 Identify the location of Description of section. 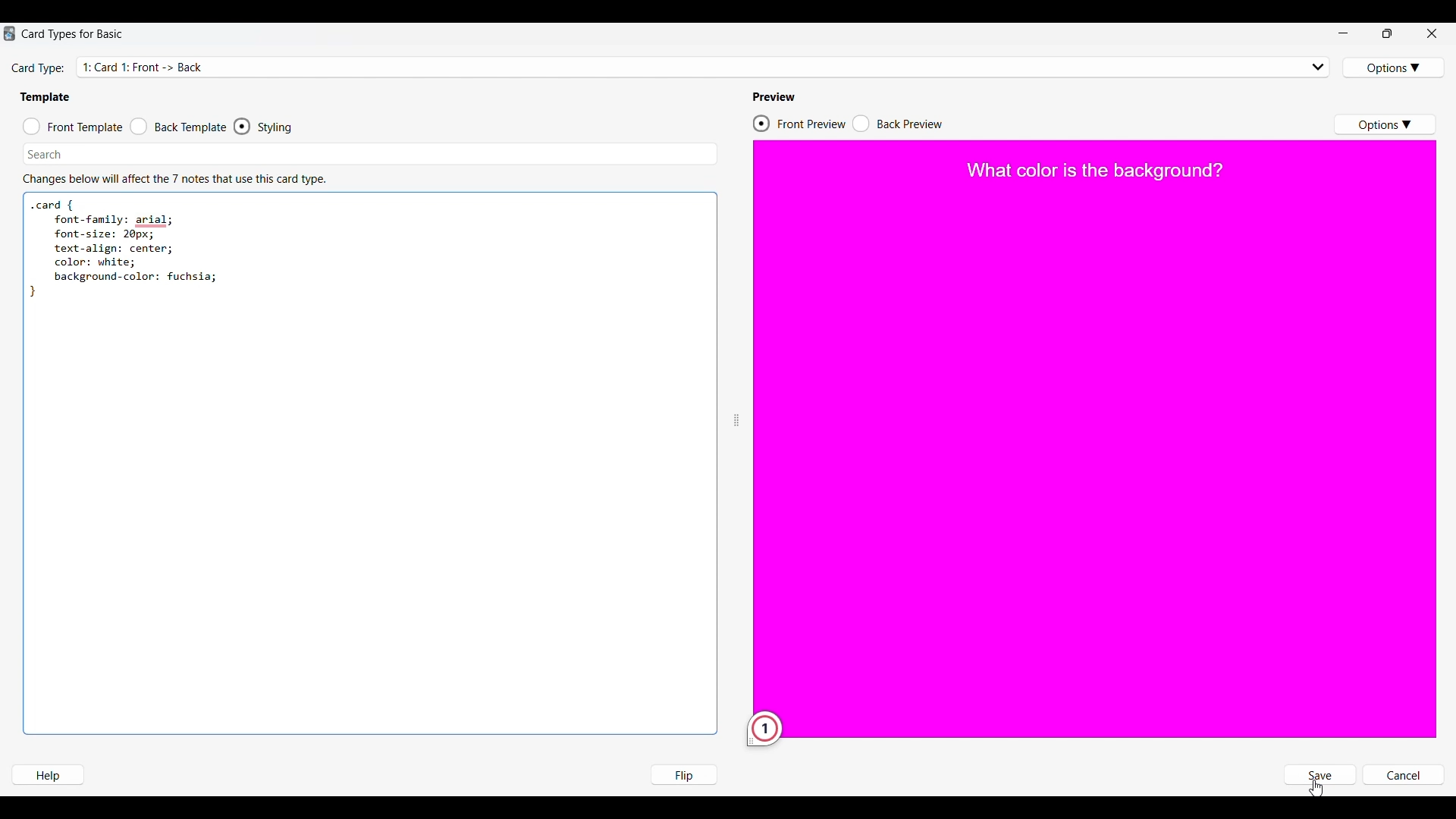
(174, 179).